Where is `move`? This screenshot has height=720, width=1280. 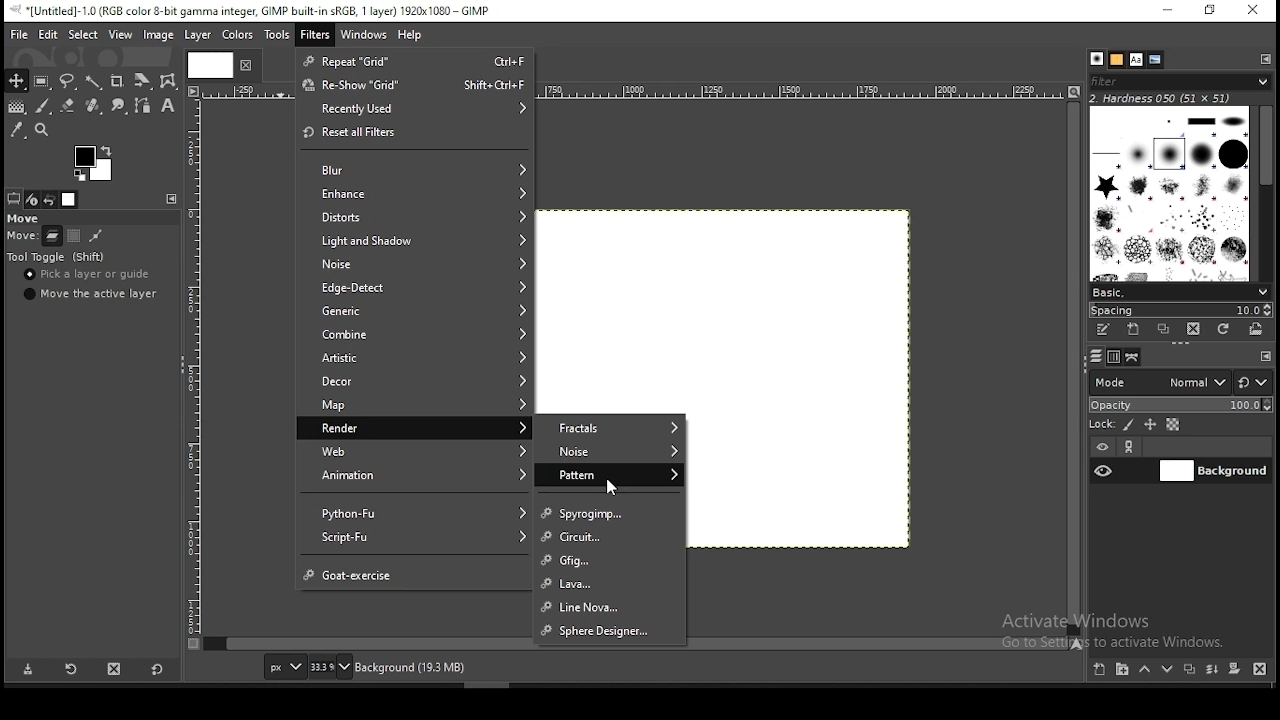
move is located at coordinates (23, 217).